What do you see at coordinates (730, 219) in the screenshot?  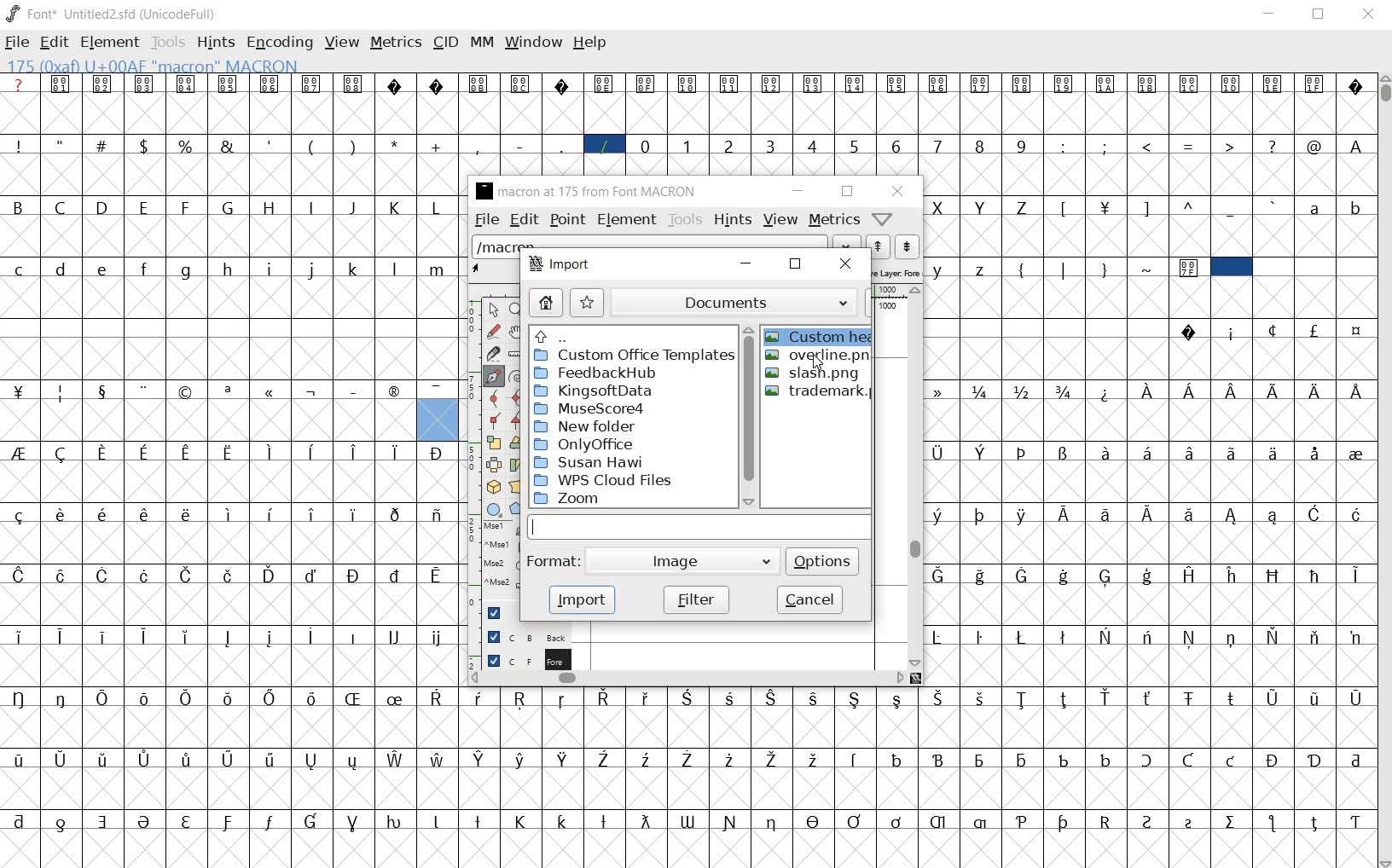 I see `hints` at bounding box center [730, 219].